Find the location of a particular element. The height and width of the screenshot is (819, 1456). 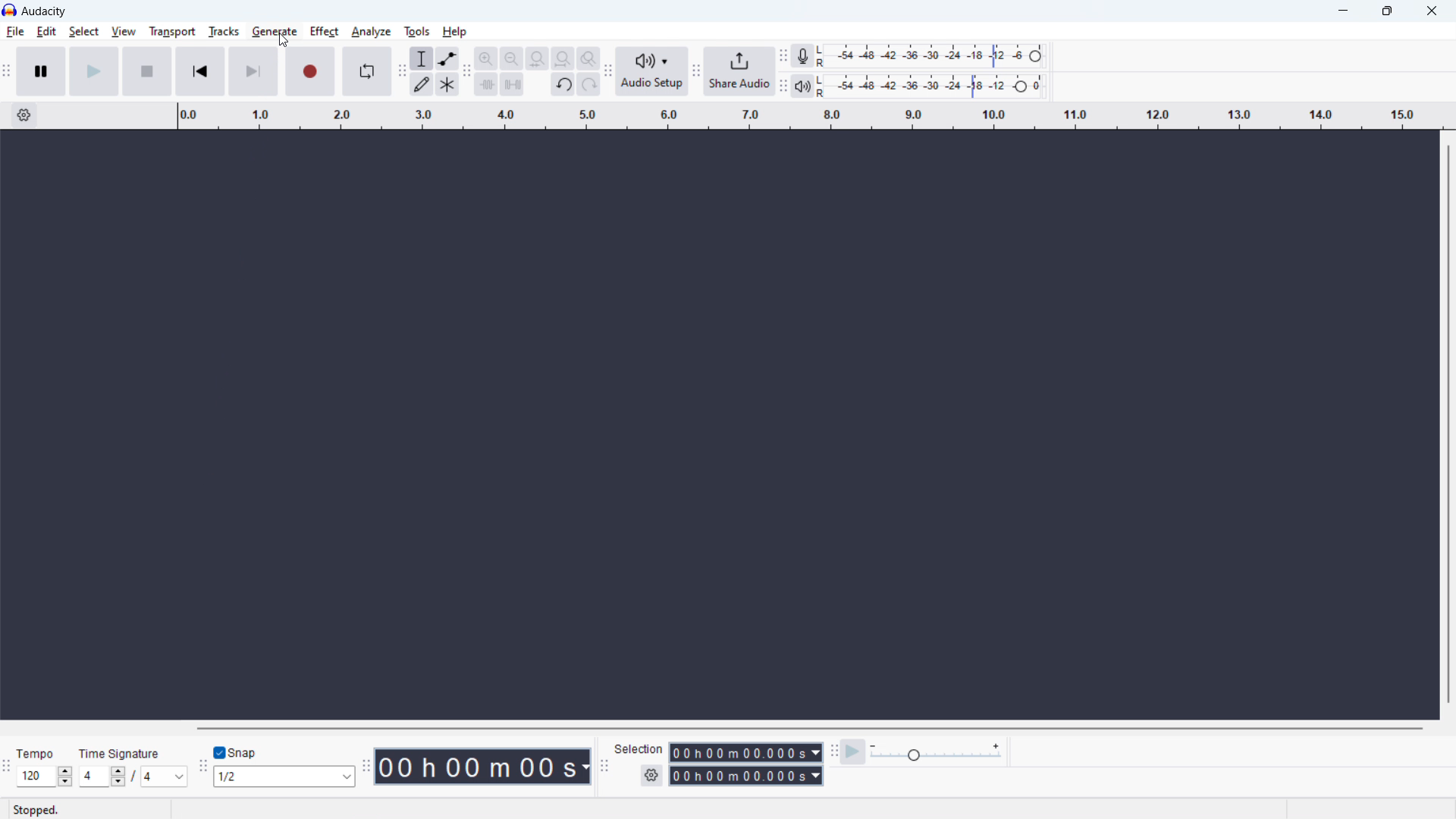

cursor is located at coordinates (284, 42).